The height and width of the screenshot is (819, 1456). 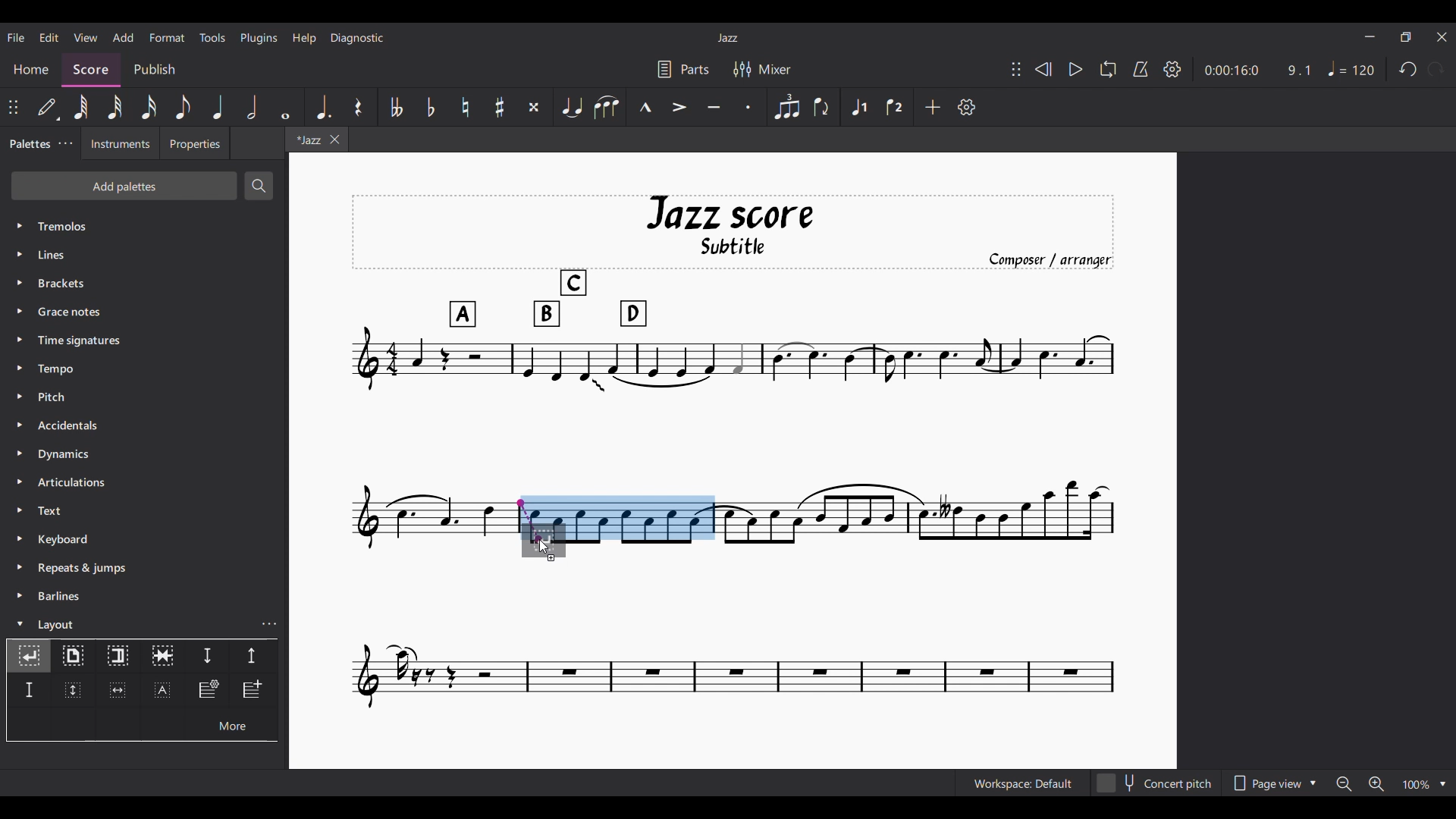 What do you see at coordinates (714, 107) in the screenshot?
I see `Tenuto` at bounding box center [714, 107].